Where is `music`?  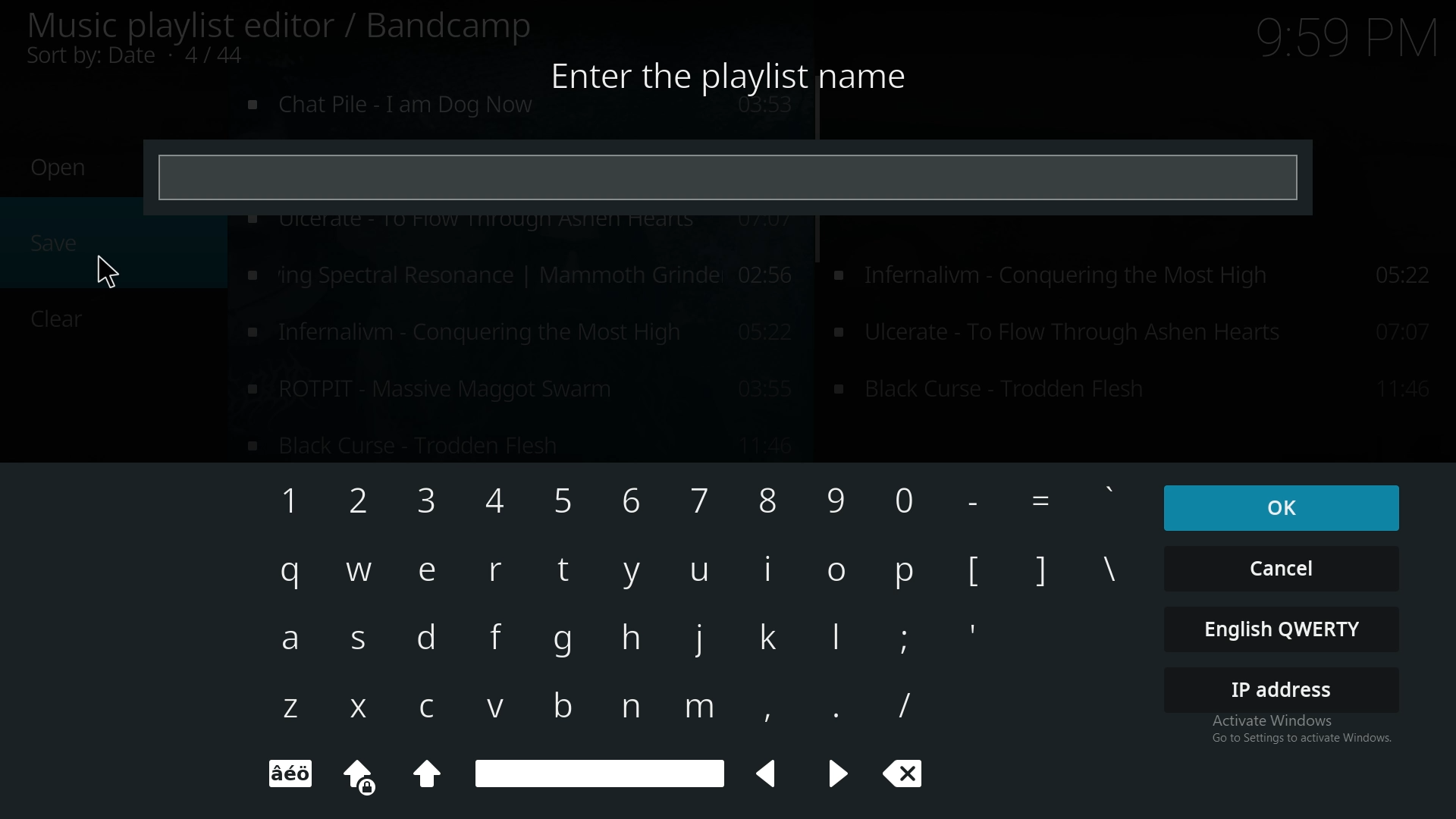 music is located at coordinates (519, 274).